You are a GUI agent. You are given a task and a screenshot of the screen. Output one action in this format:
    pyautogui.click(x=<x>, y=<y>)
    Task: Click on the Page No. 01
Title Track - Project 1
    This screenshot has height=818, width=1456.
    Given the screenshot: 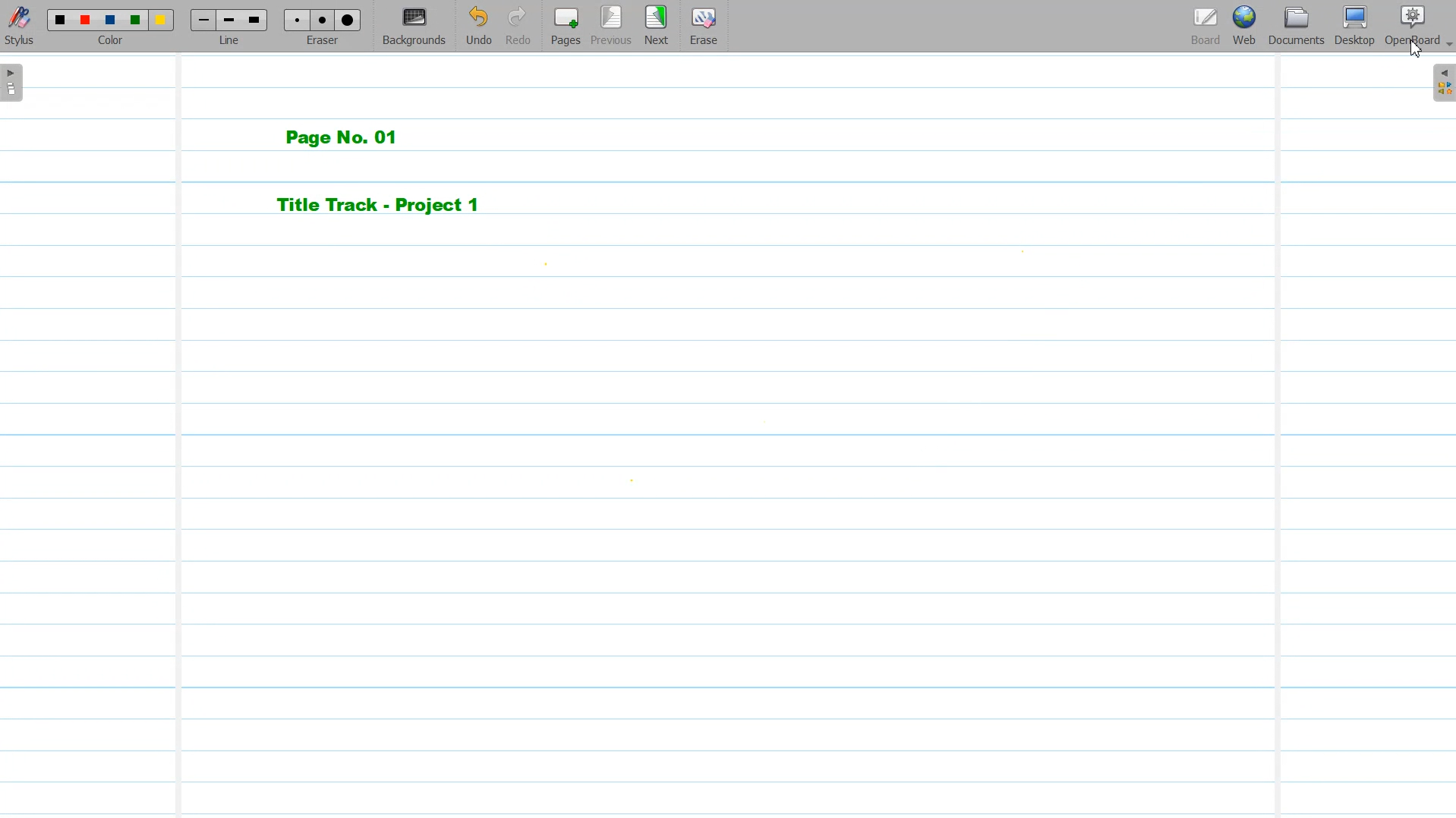 What is the action you would take?
    pyautogui.click(x=407, y=171)
    